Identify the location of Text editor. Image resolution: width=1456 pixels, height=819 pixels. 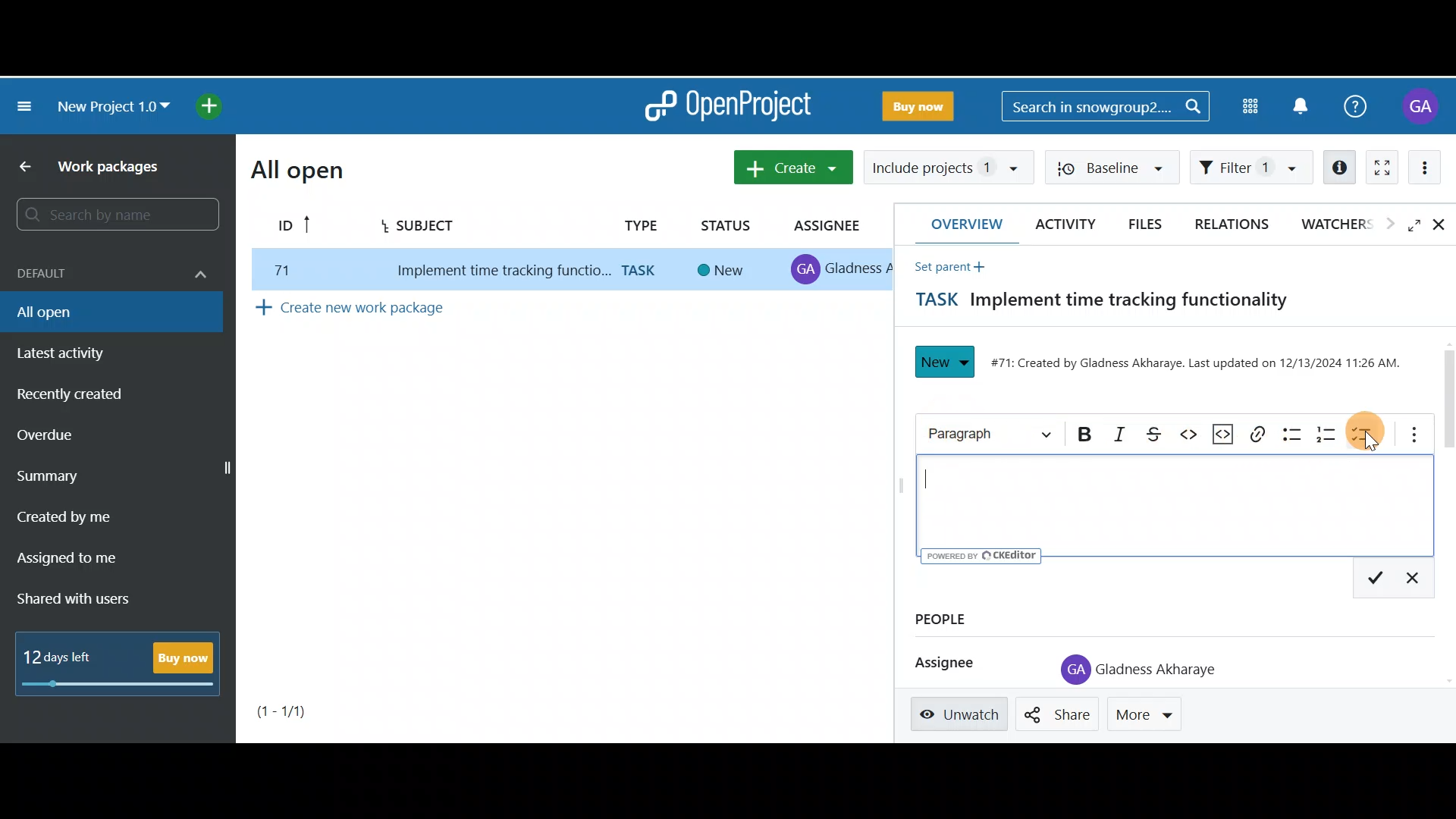
(1178, 498).